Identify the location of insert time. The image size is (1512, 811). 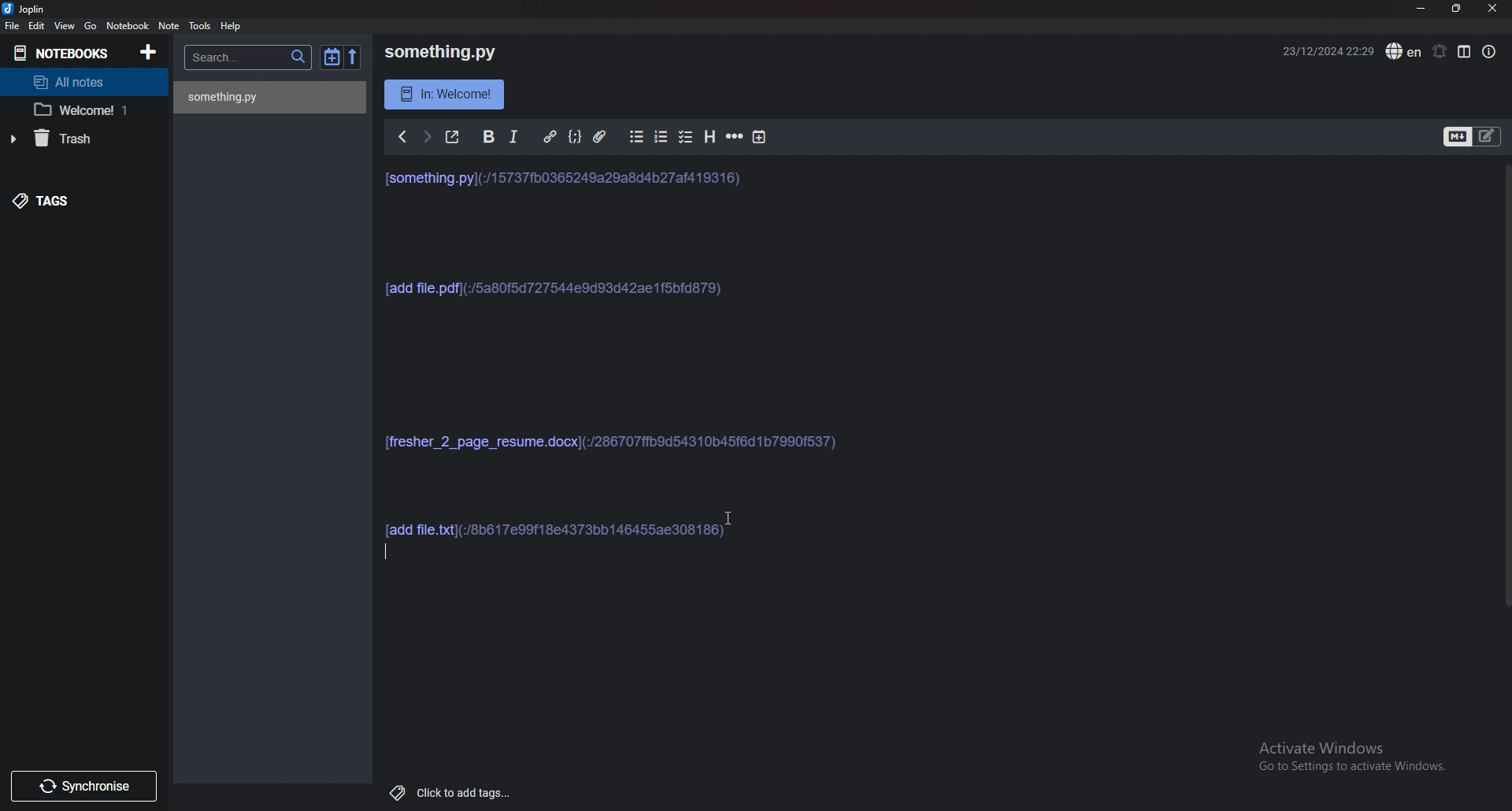
(760, 137).